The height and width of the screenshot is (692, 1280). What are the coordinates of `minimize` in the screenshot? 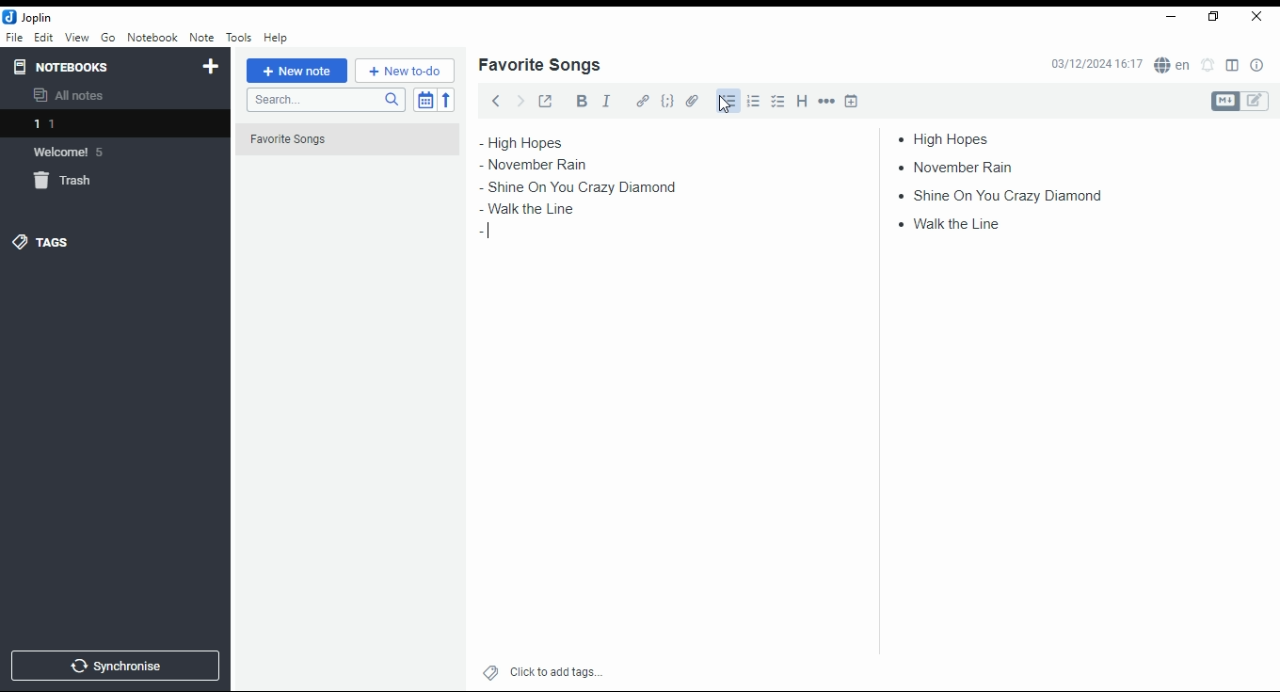 It's located at (1168, 18).